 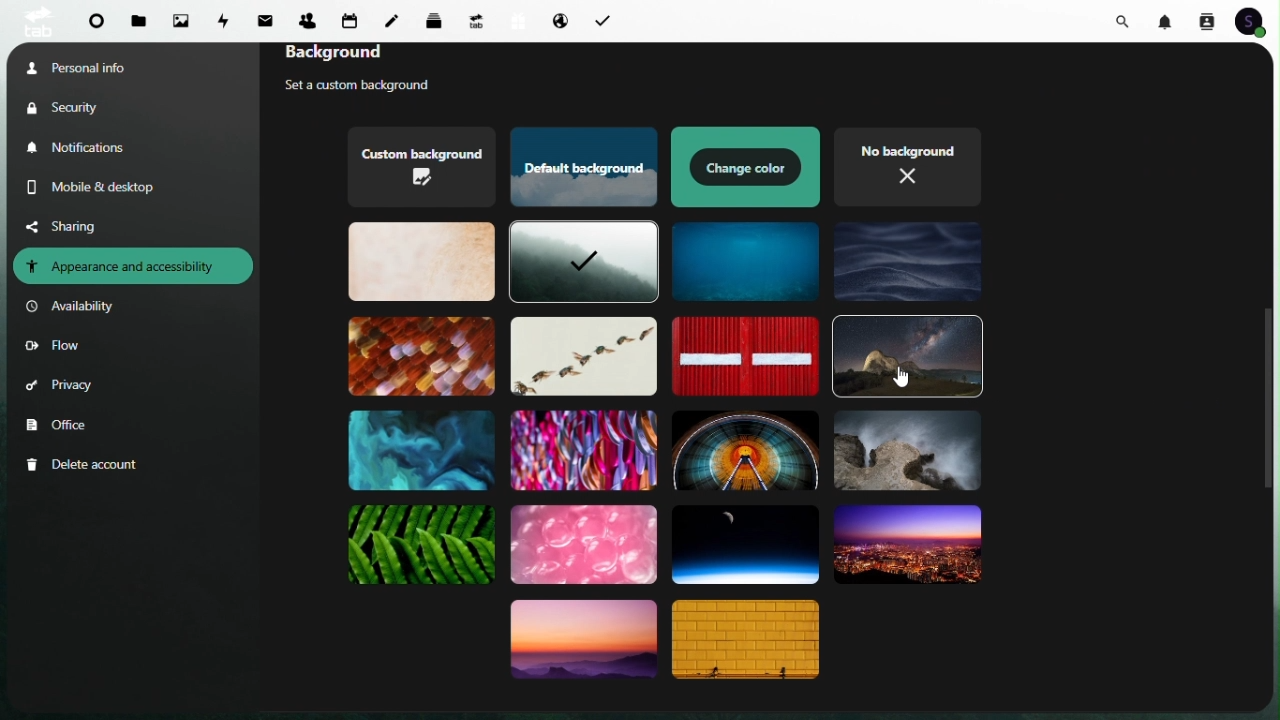 What do you see at coordinates (741, 356) in the screenshot?
I see `Themes` at bounding box center [741, 356].